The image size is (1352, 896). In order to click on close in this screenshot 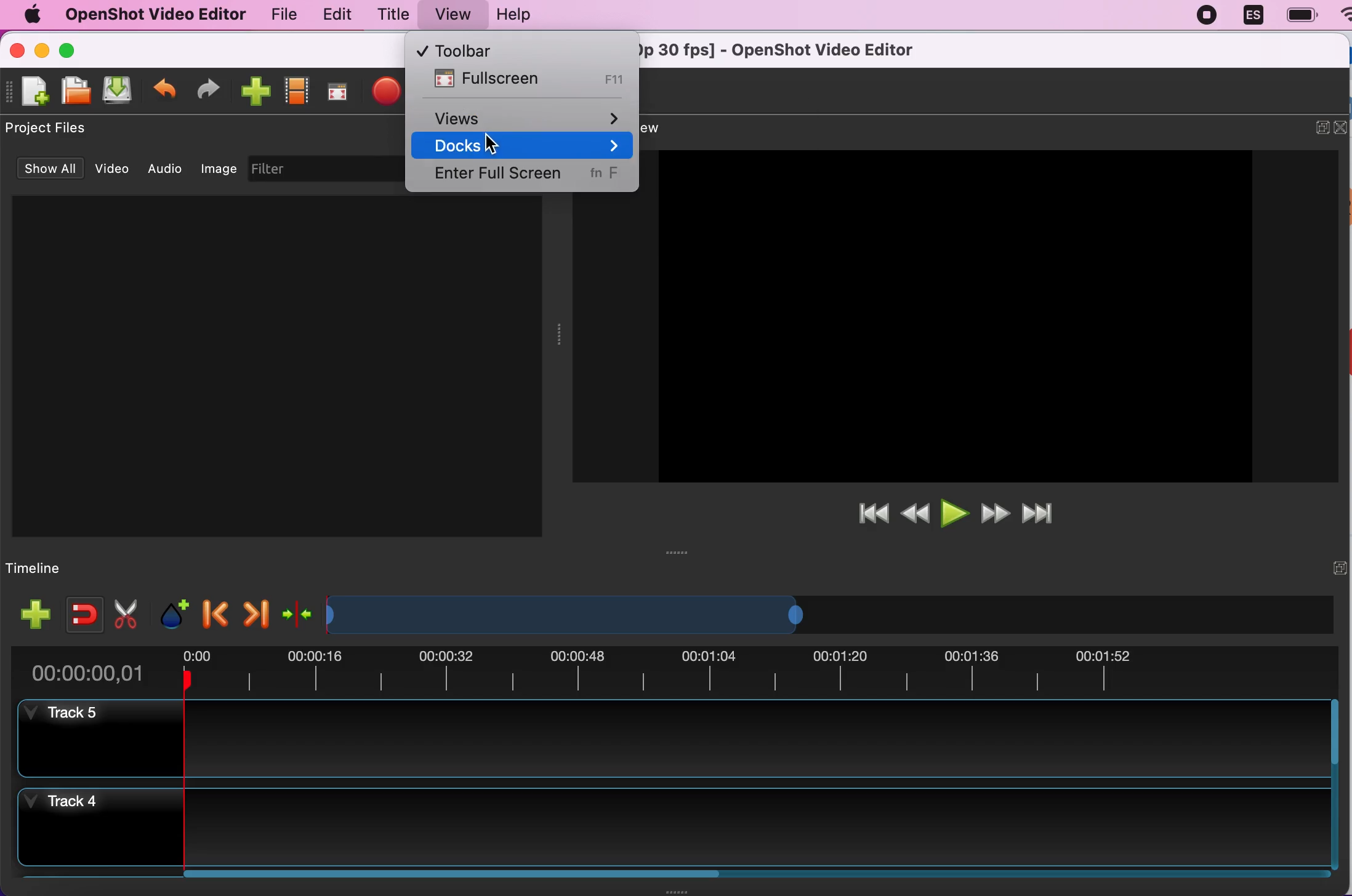, I will do `click(22, 53)`.